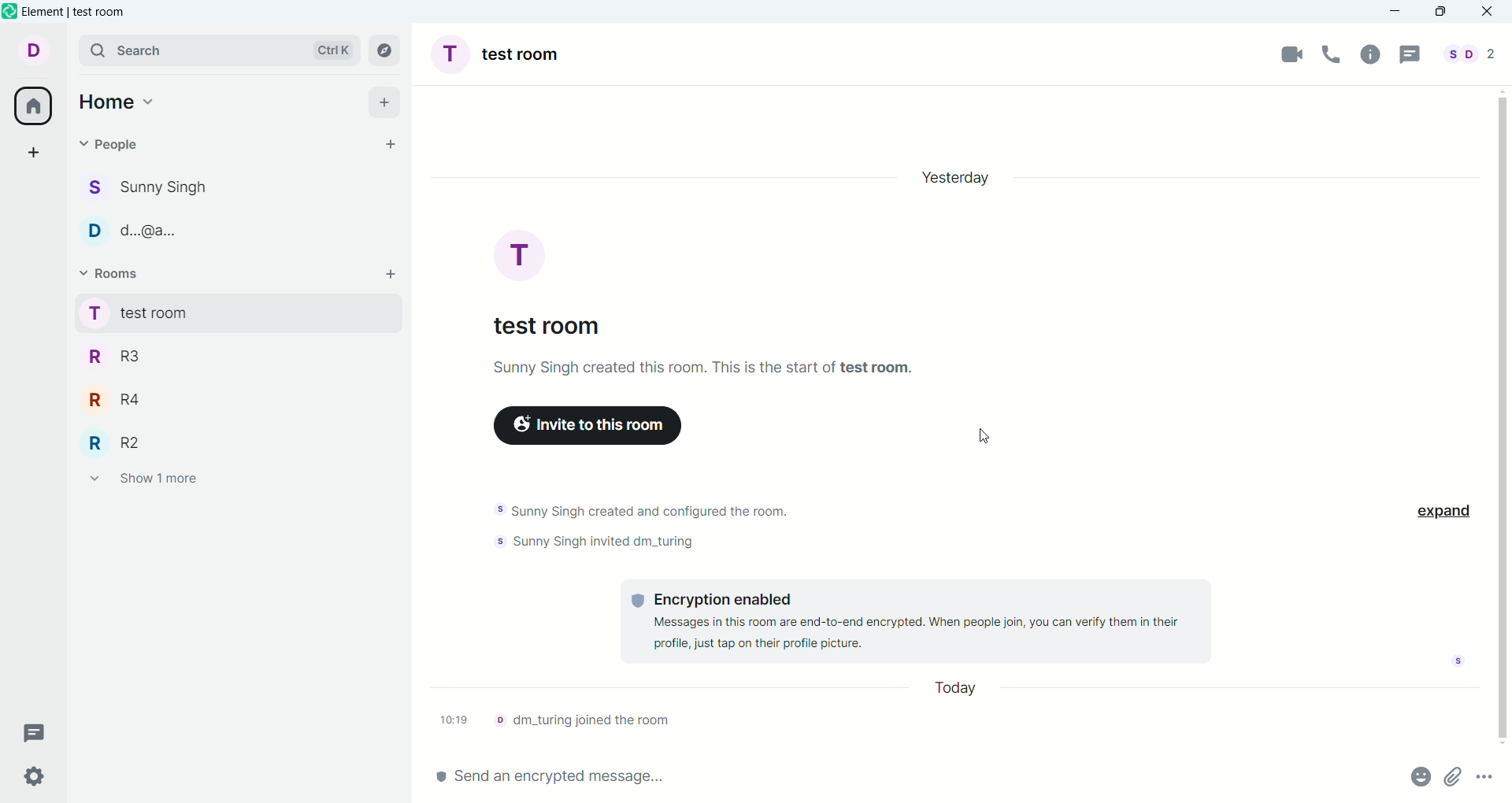  I want to click on minimize, so click(1398, 12).